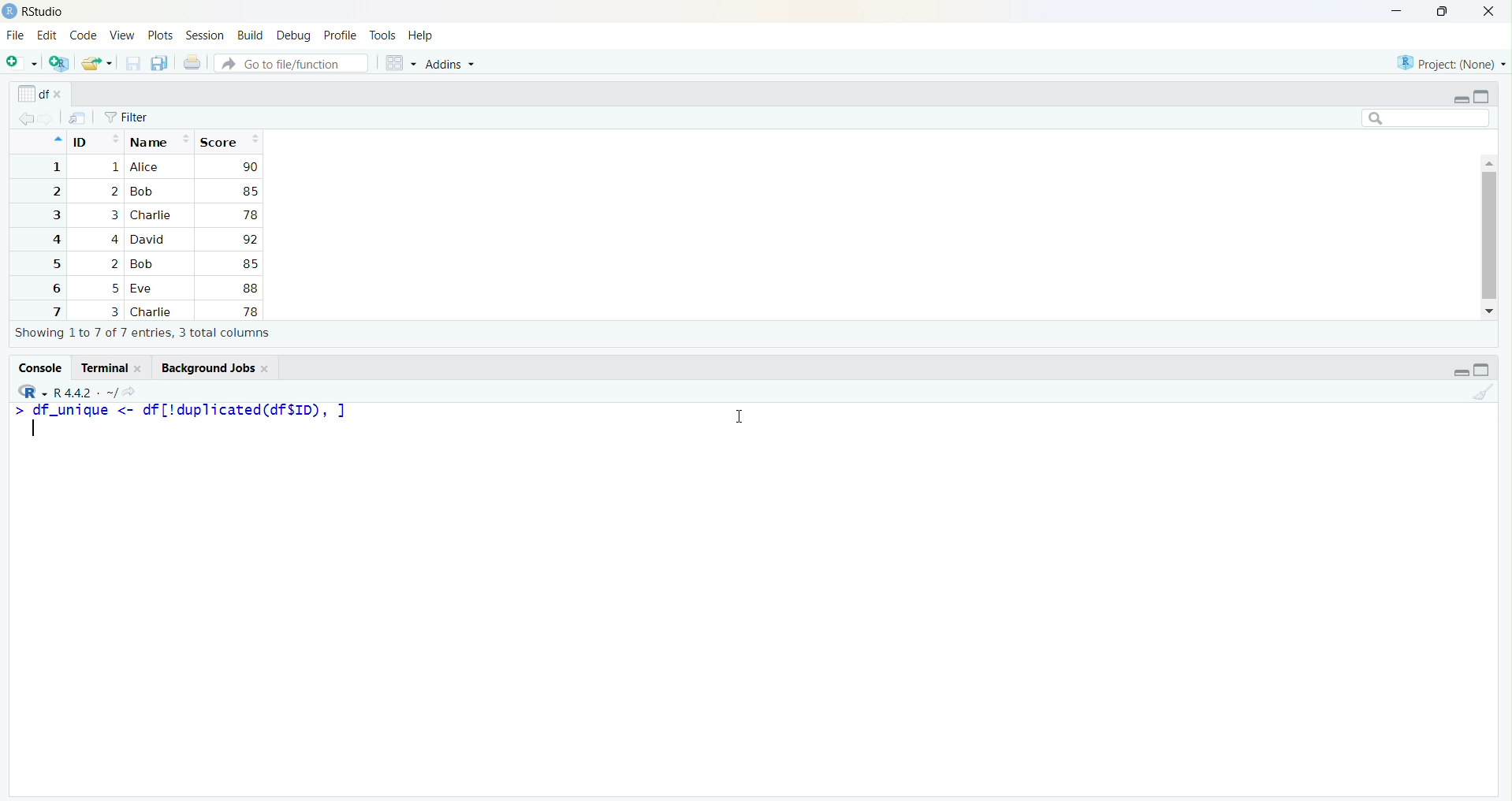 The image size is (1512, 801). Describe the element at coordinates (1460, 372) in the screenshot. I see `minimize` at that location.